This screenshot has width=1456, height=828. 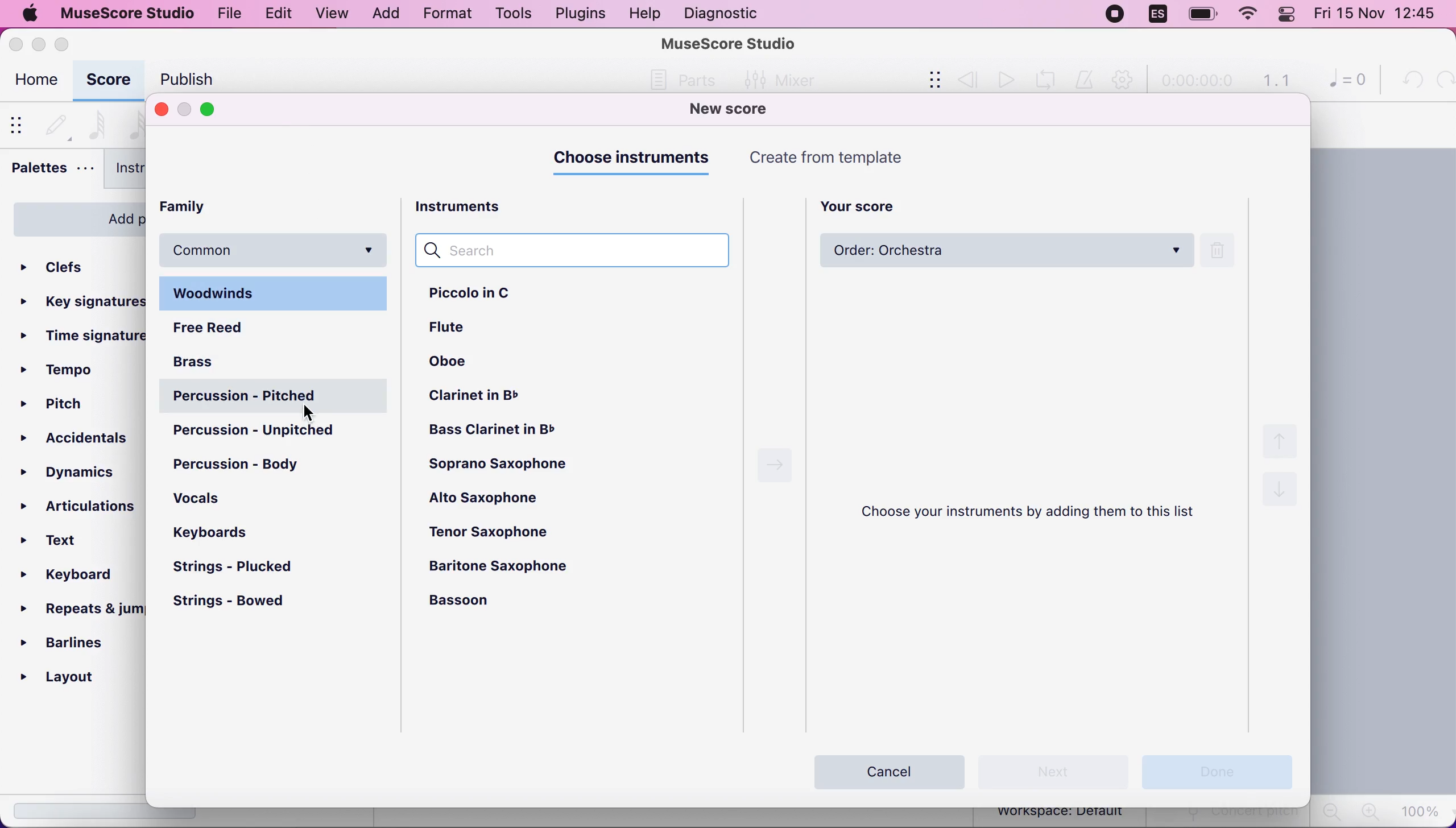 What do you see at coordinates (926, 81) in the screenshot?
I see `show/hide` at bounding box center [926, 81].